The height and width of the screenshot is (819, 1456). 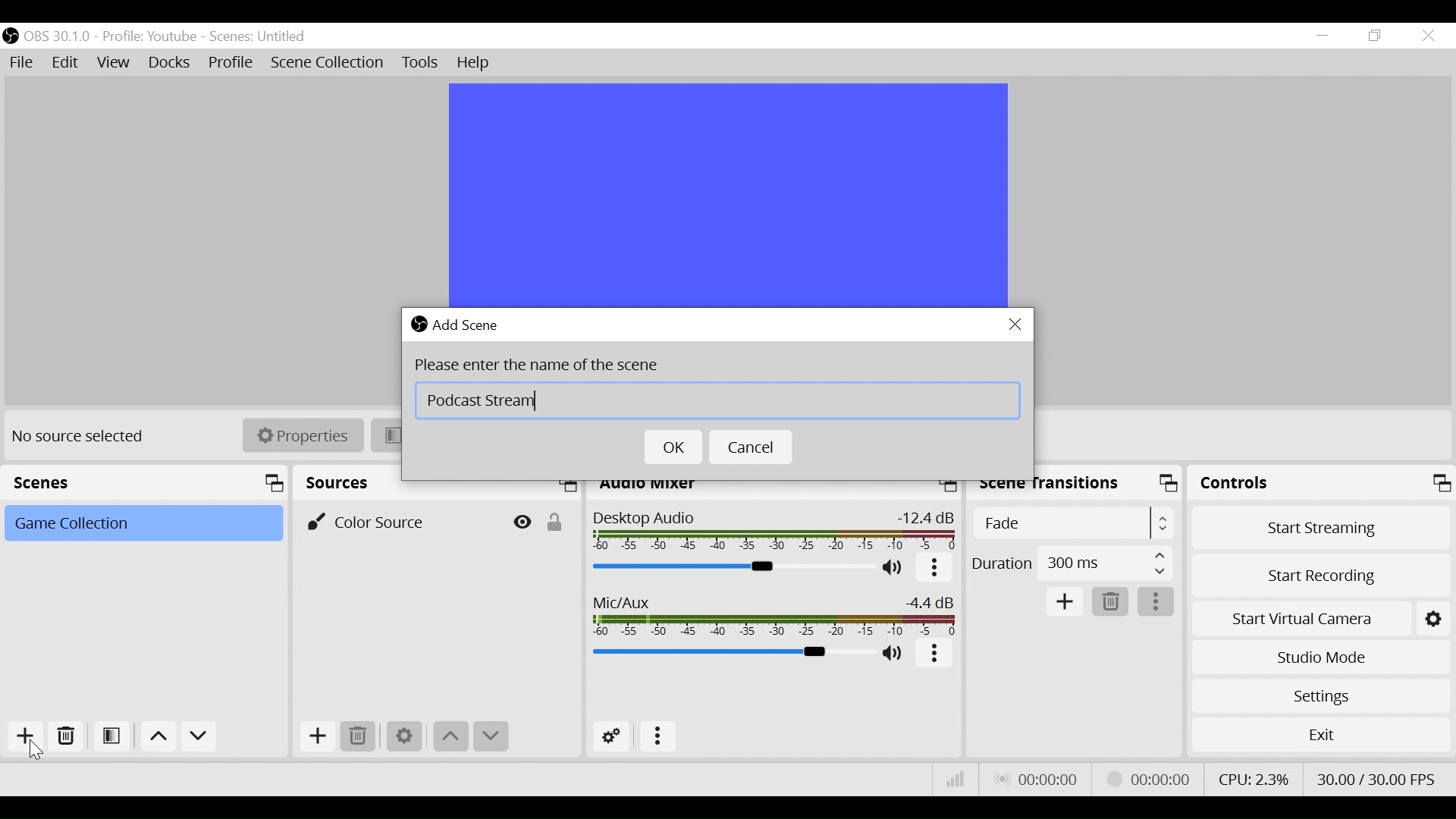 I want to click on Profile , so click(x=152, y=36).